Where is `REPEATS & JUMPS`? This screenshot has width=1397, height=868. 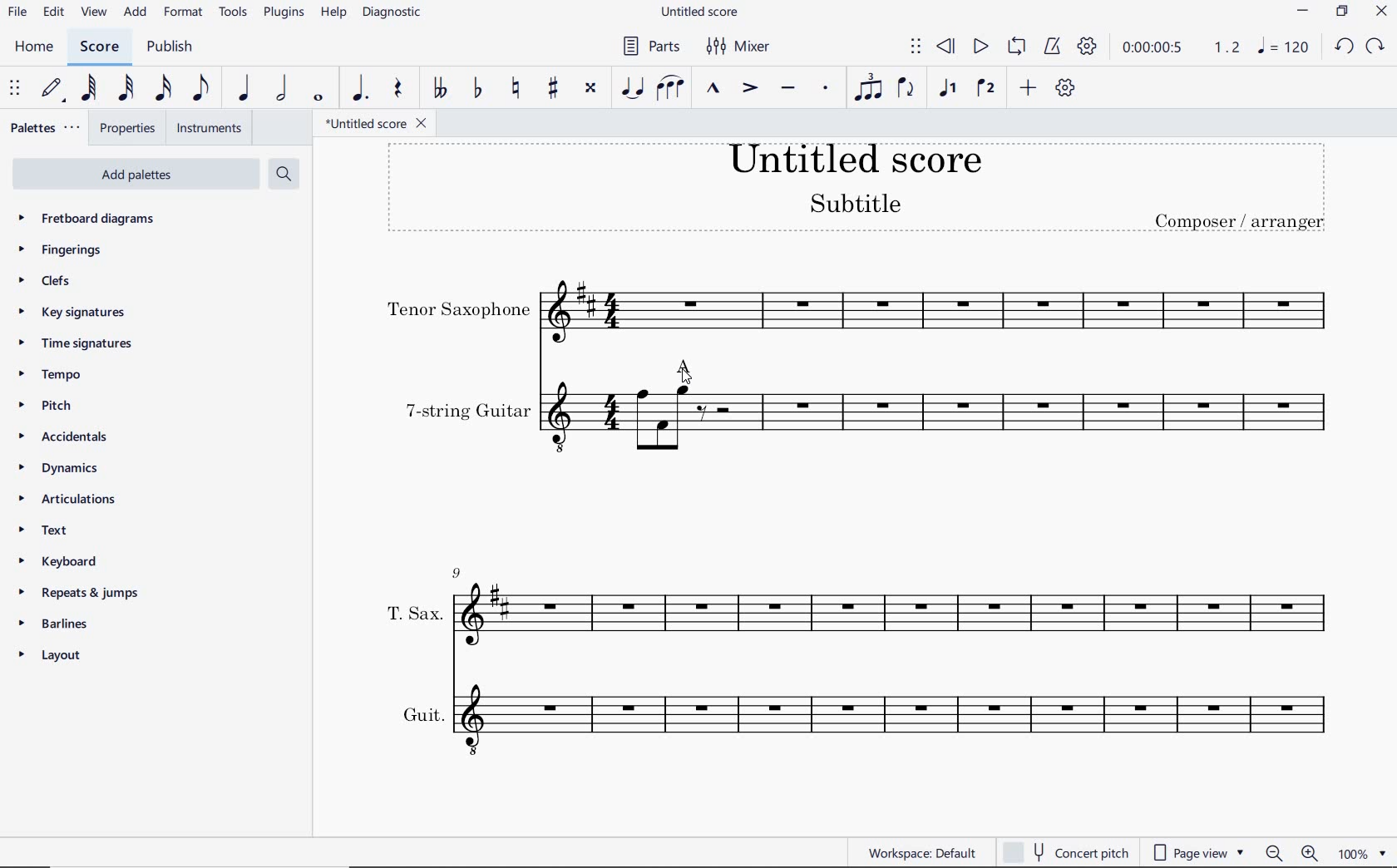 REPEATS & JUMPS is located at coordinates (80, 592).